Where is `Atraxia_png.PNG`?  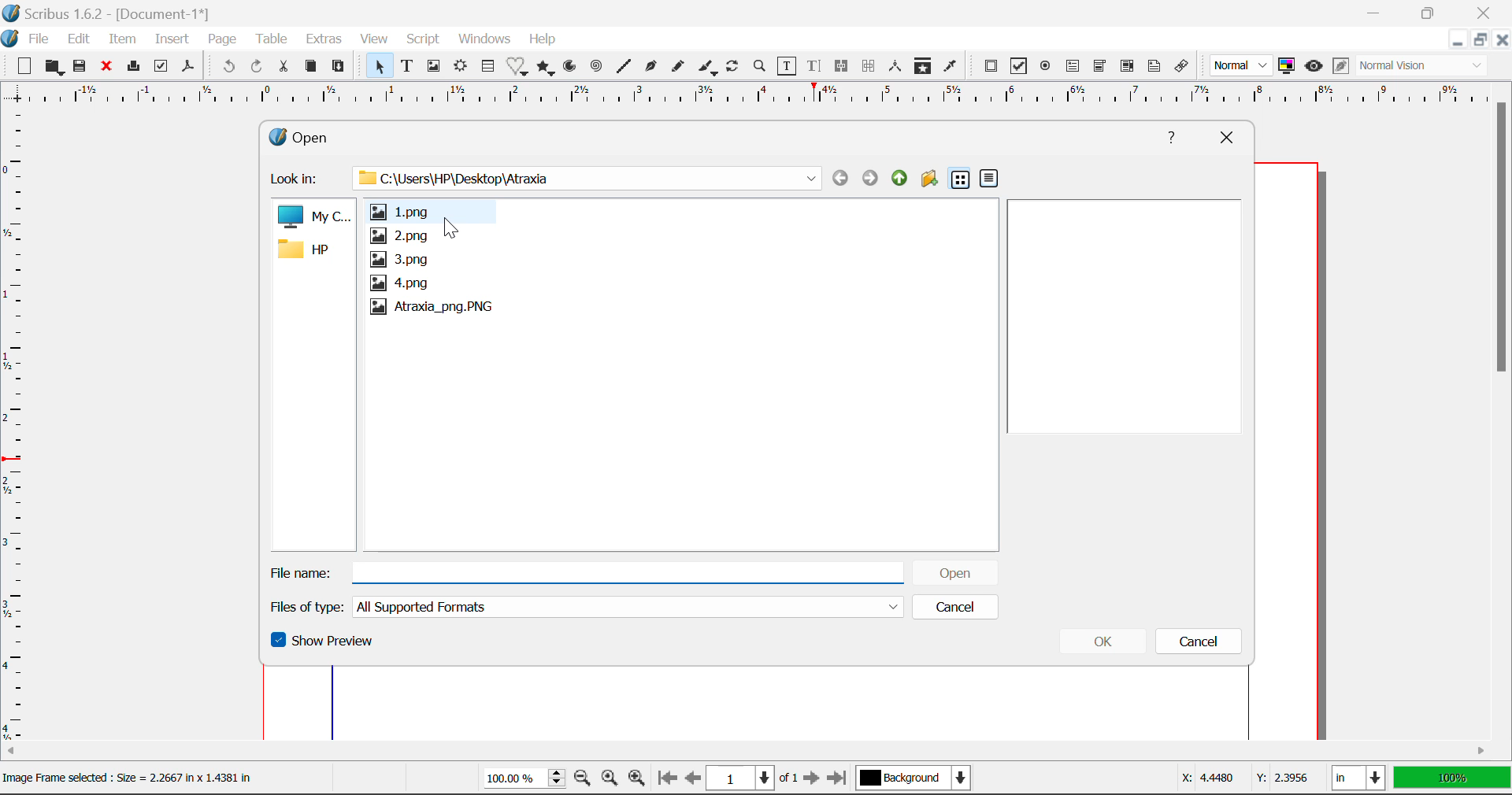 Atraxia_png.PNG is located at coordinates (432, 308).